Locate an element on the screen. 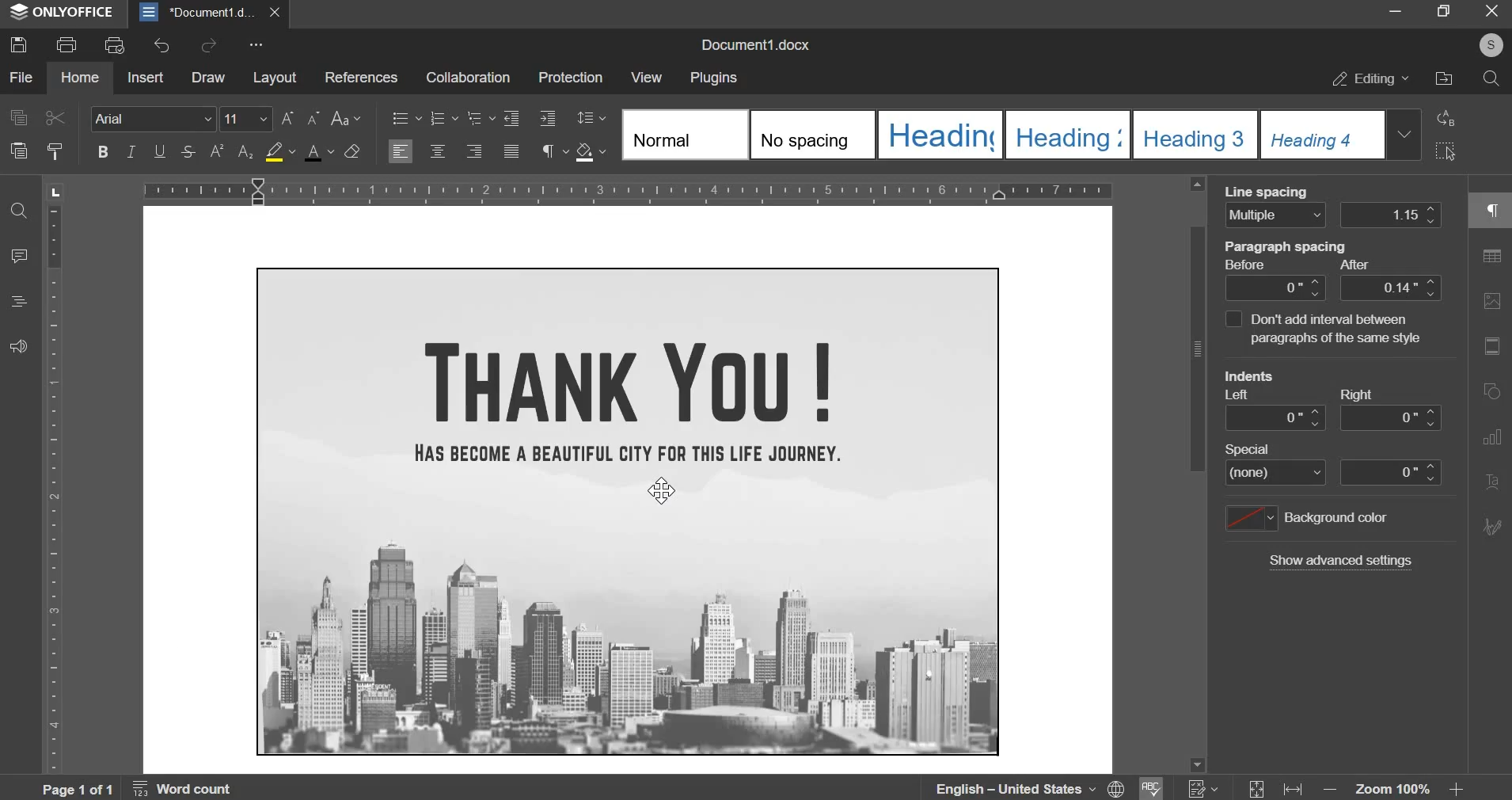 This screenshot has width=1512, height=800. Line spacing is located at coordinates (1269, 193).